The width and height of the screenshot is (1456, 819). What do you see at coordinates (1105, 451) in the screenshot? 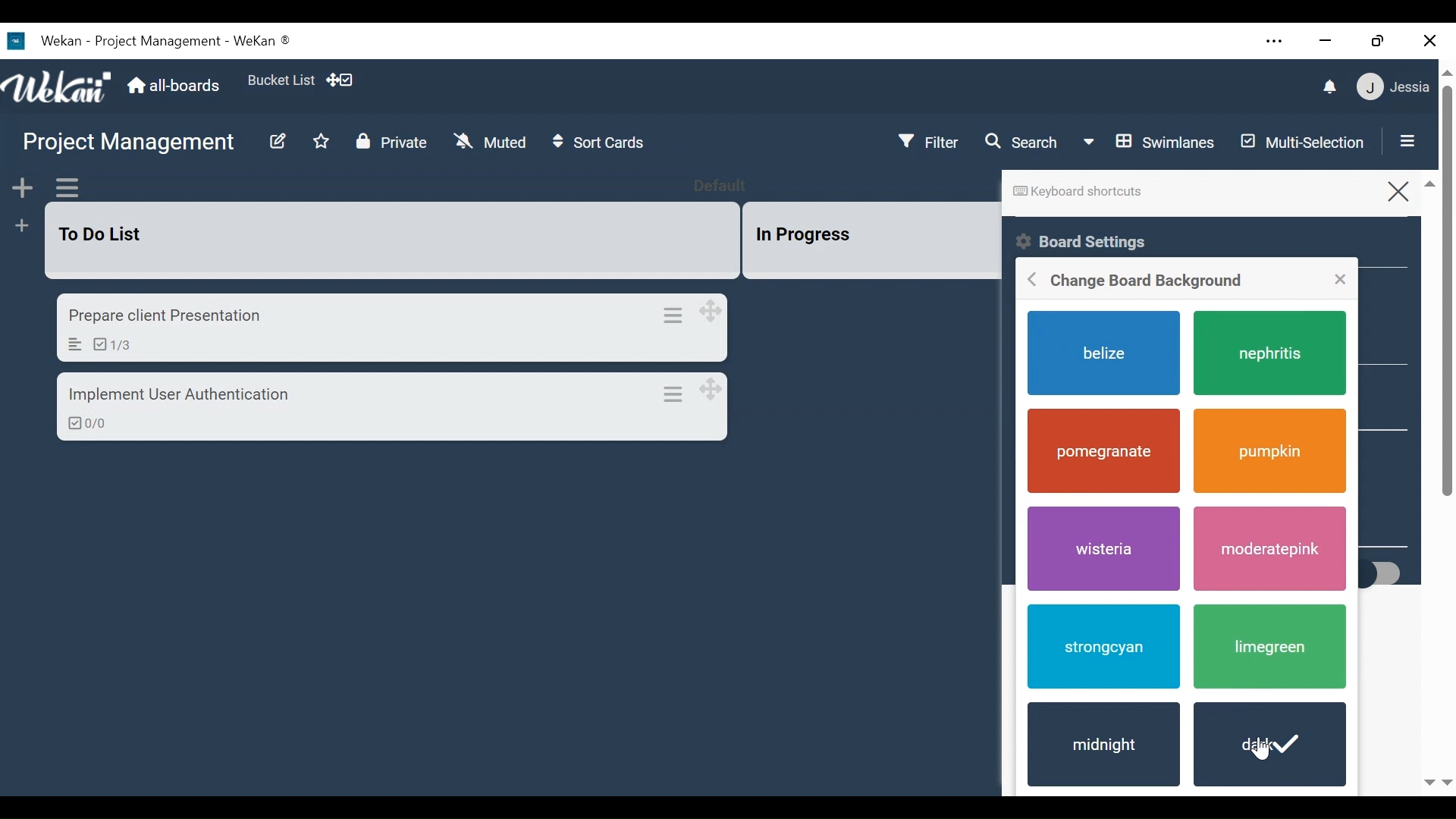
I see `pomegranate` at bounding box center [1105, 451].